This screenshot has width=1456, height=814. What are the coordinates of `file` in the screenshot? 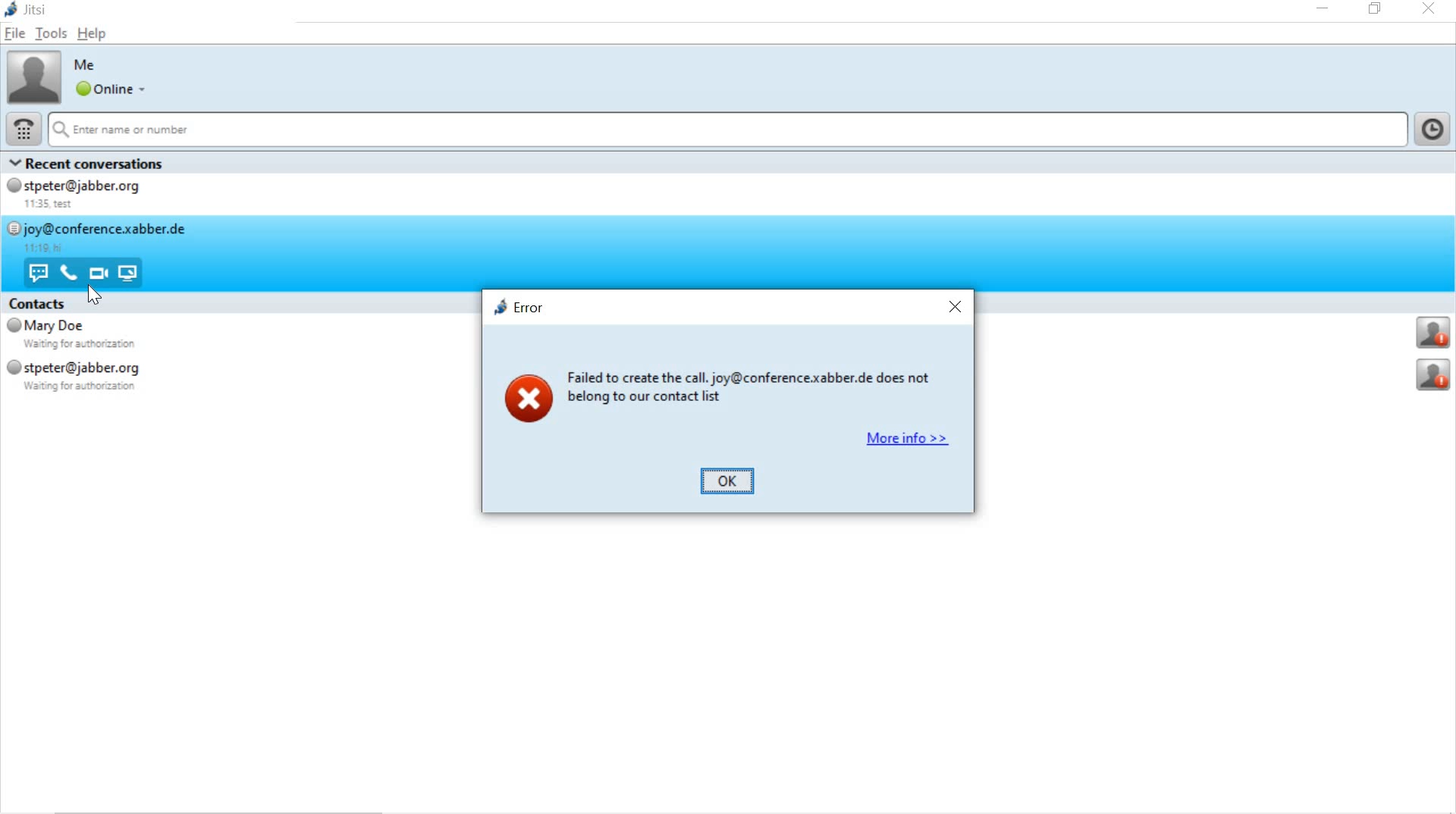 It's located at (16, 34).